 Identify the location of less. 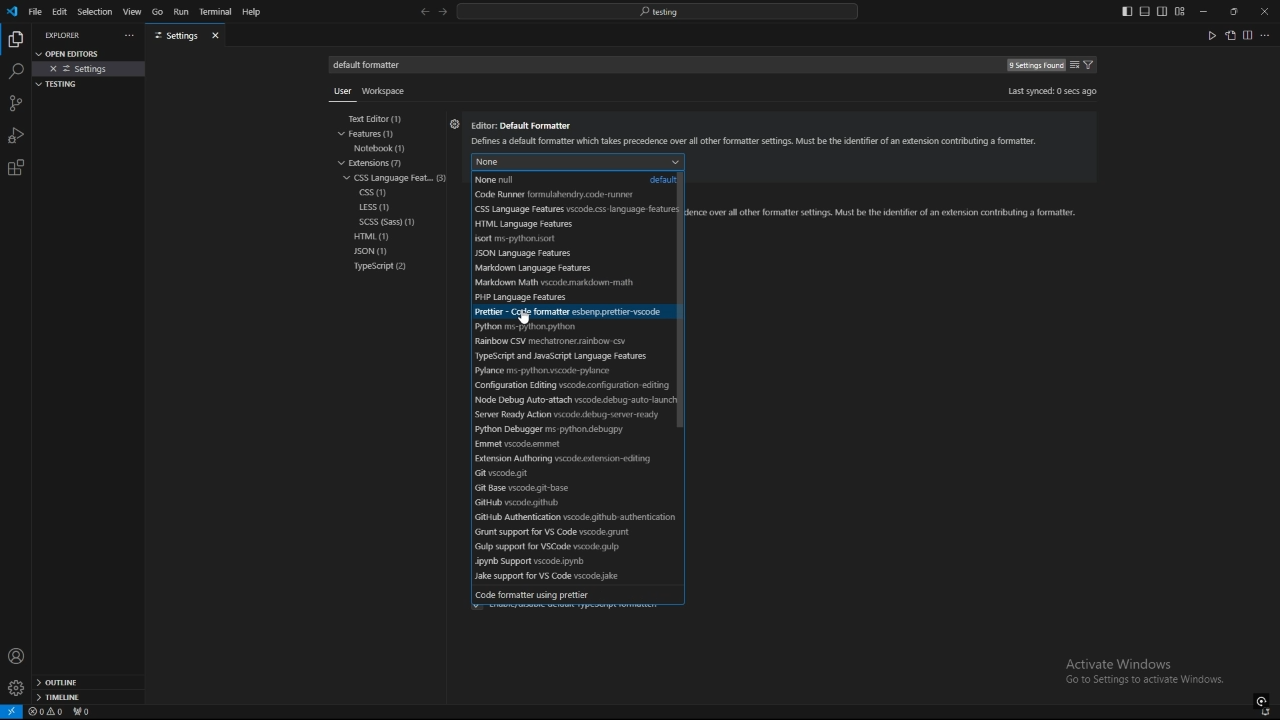
(375, 208).